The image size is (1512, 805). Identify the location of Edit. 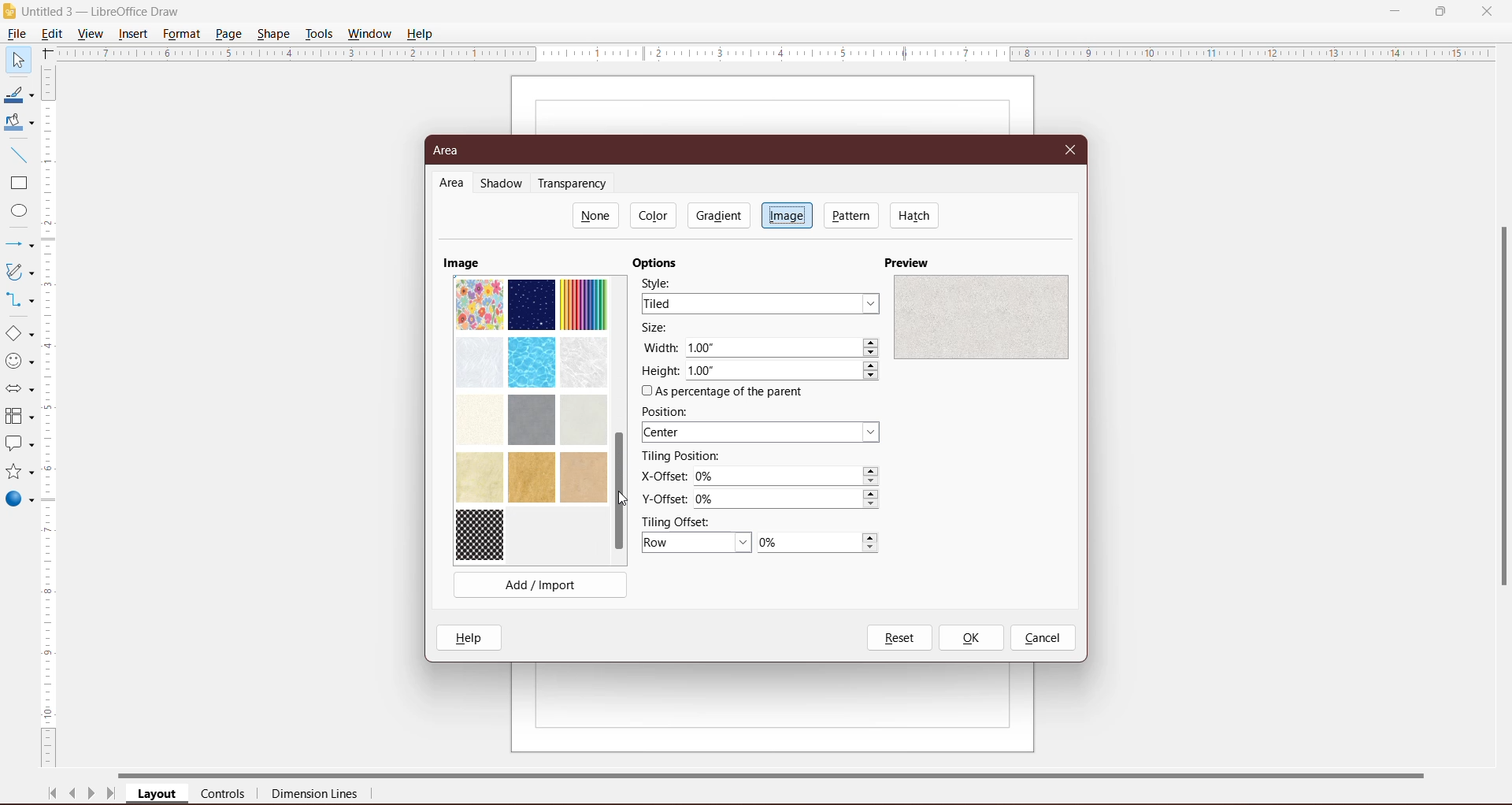
(55, 32).